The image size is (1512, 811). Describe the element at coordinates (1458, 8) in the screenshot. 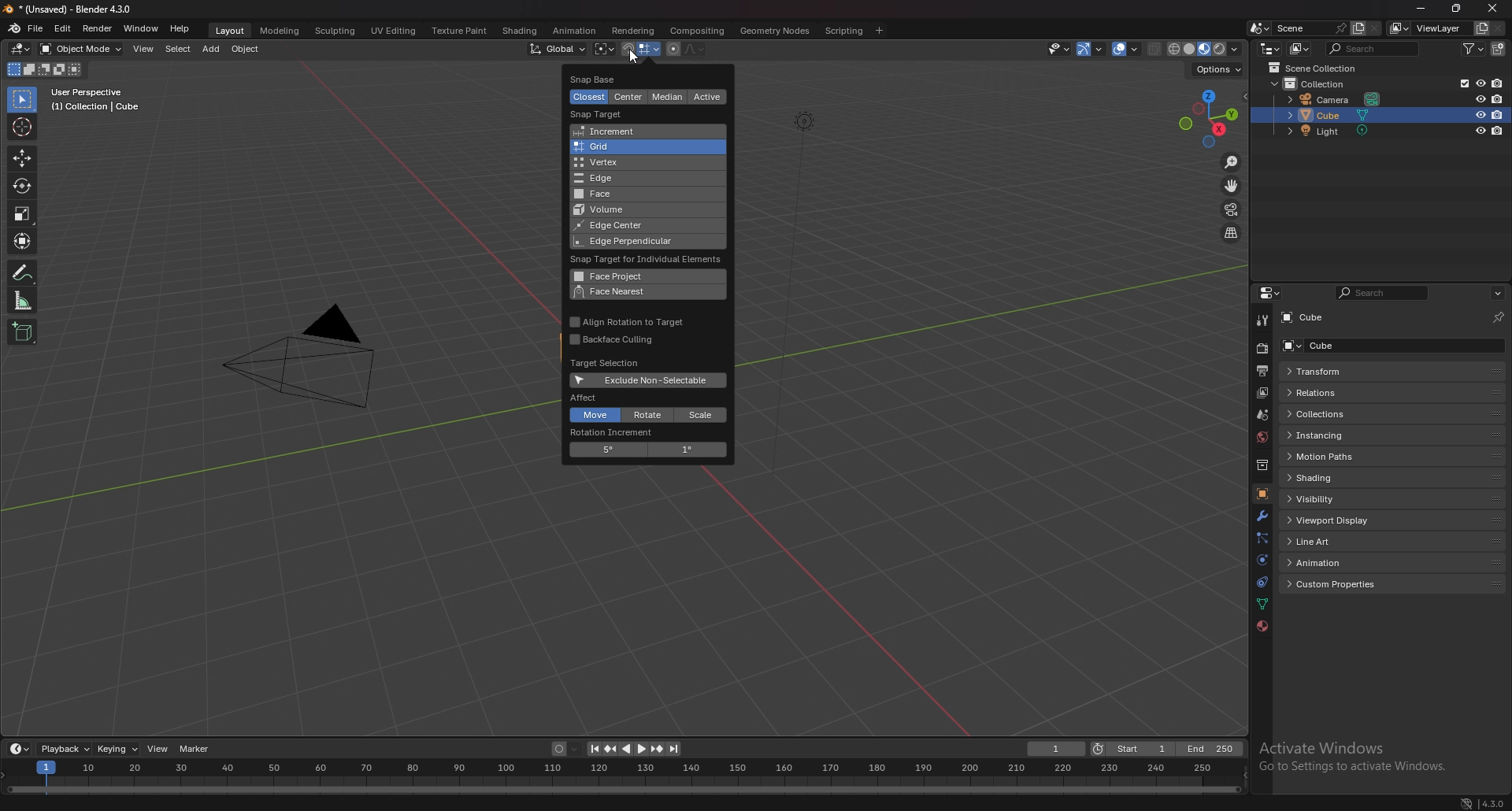

I see `resize` at that location.